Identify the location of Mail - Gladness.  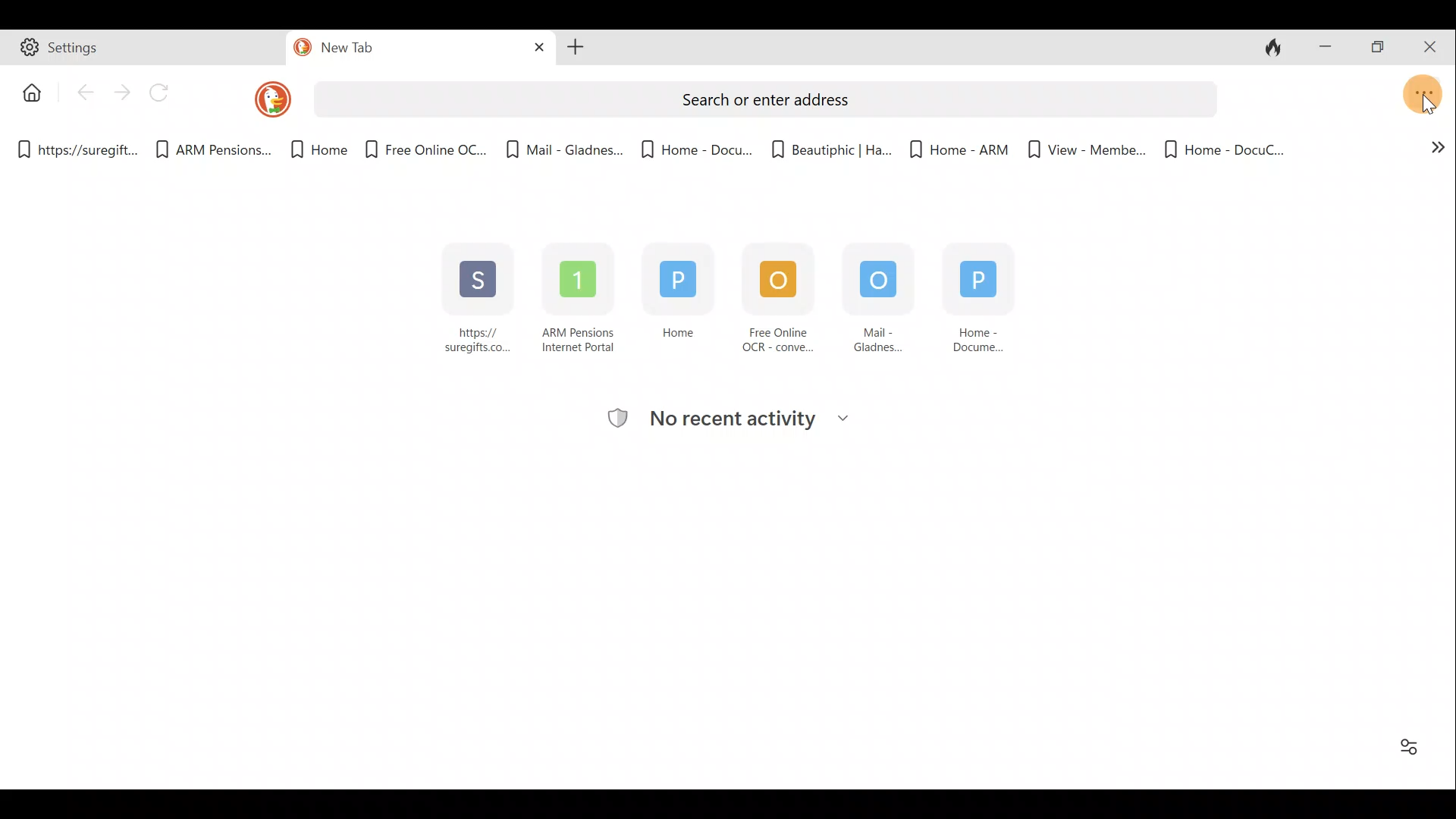
(878, 297).